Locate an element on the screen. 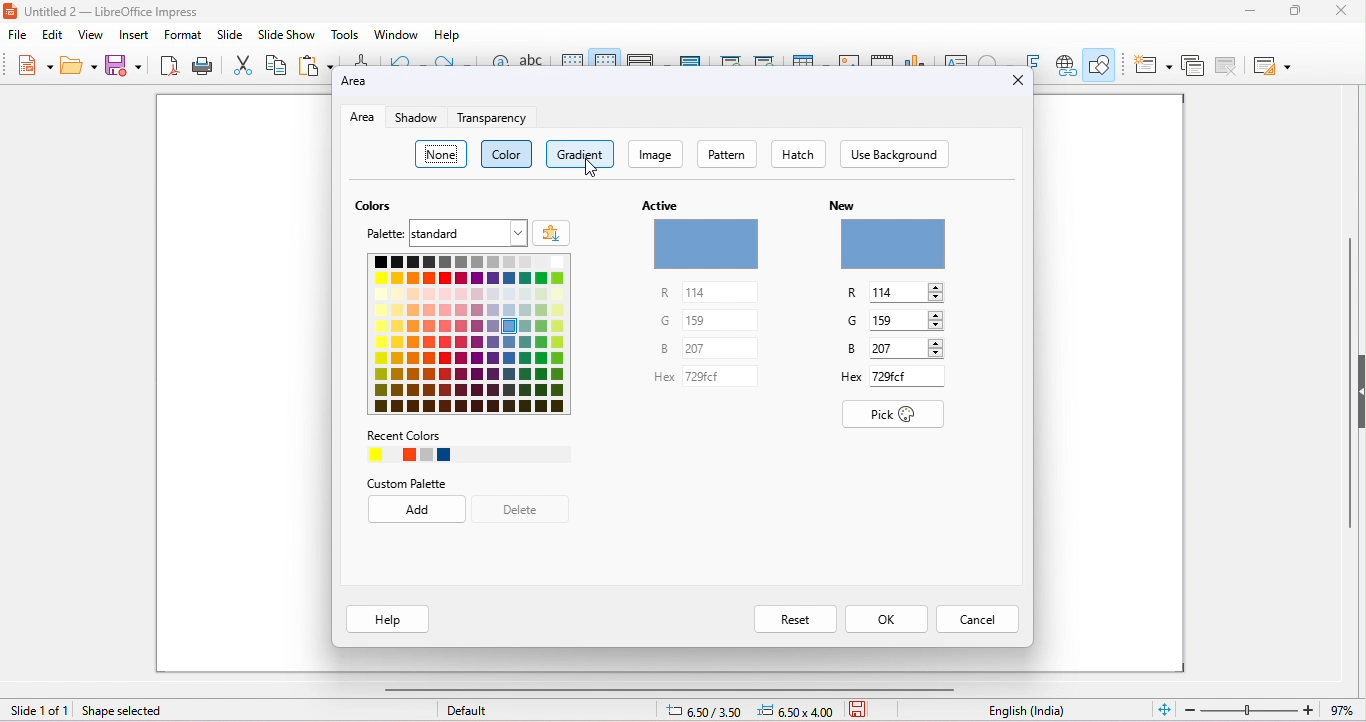 The width and height of the screenshot is (1366, 722). 159 is located at coordinates (720, 320).